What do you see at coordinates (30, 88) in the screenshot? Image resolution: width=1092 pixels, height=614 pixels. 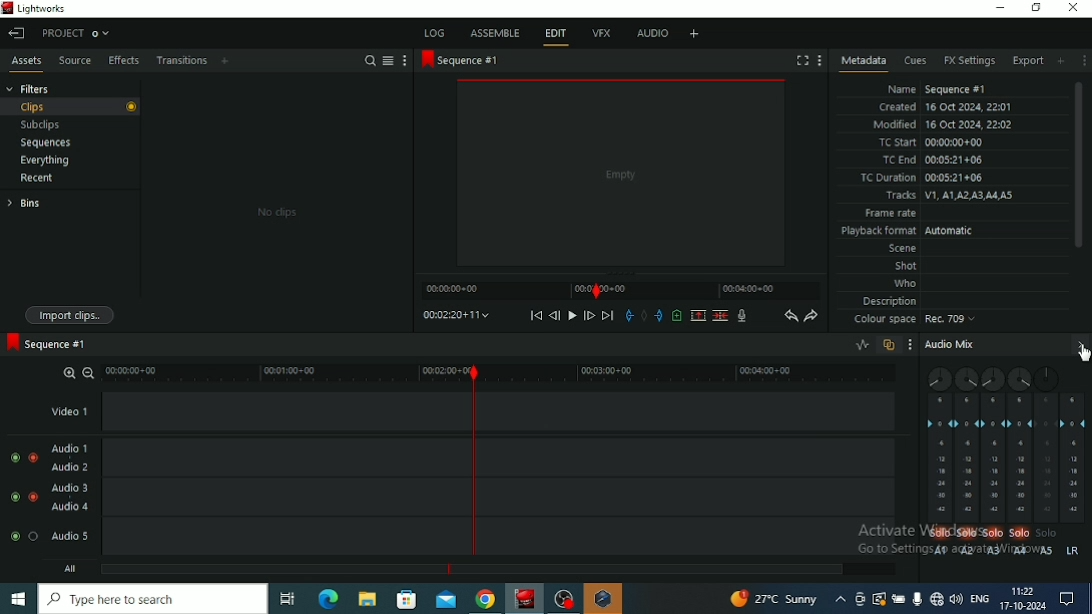 I see `Filters` at bounding box center [30, 88].